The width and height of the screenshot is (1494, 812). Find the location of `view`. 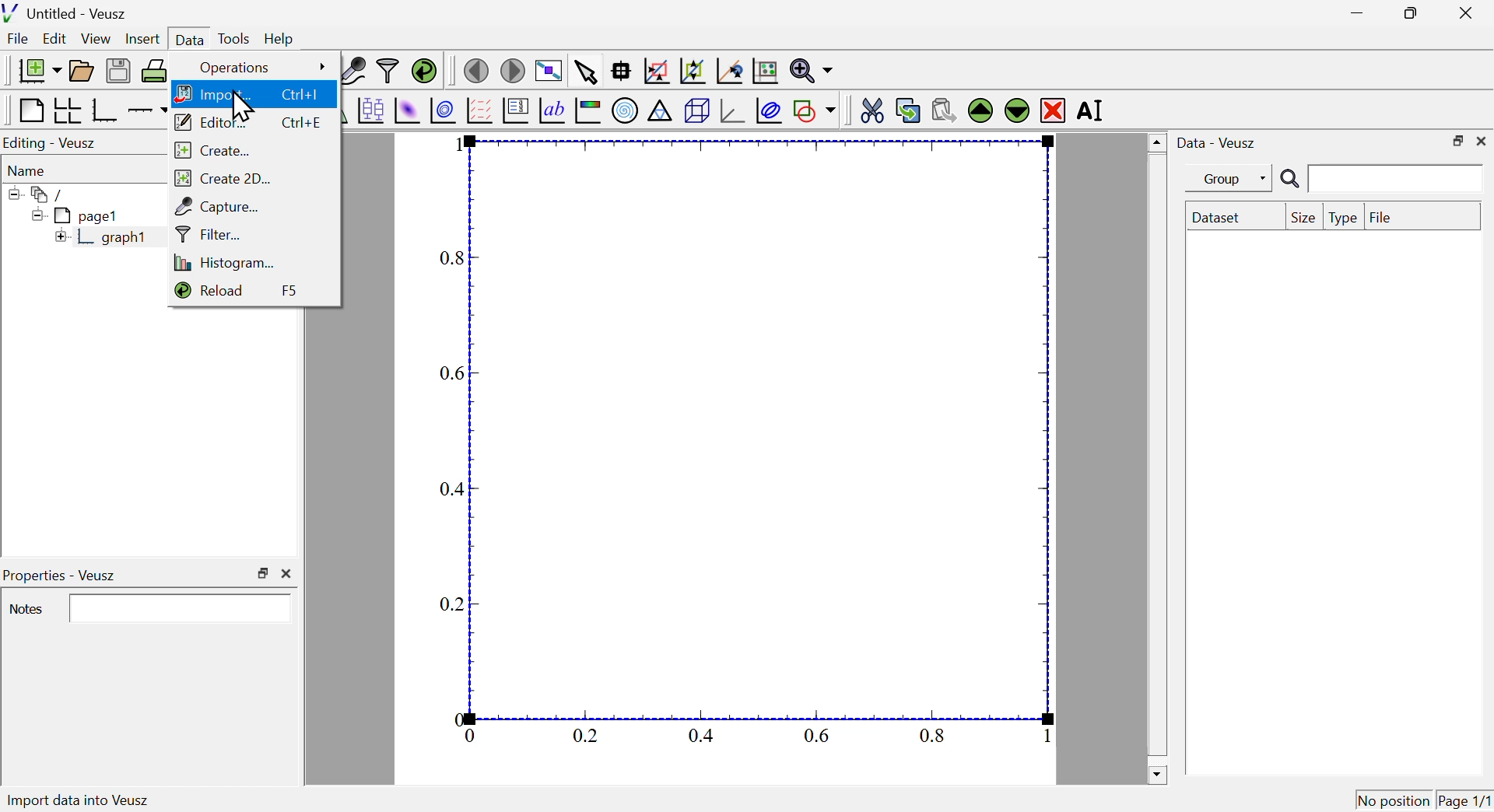

view is located at coordinates (97, 38).